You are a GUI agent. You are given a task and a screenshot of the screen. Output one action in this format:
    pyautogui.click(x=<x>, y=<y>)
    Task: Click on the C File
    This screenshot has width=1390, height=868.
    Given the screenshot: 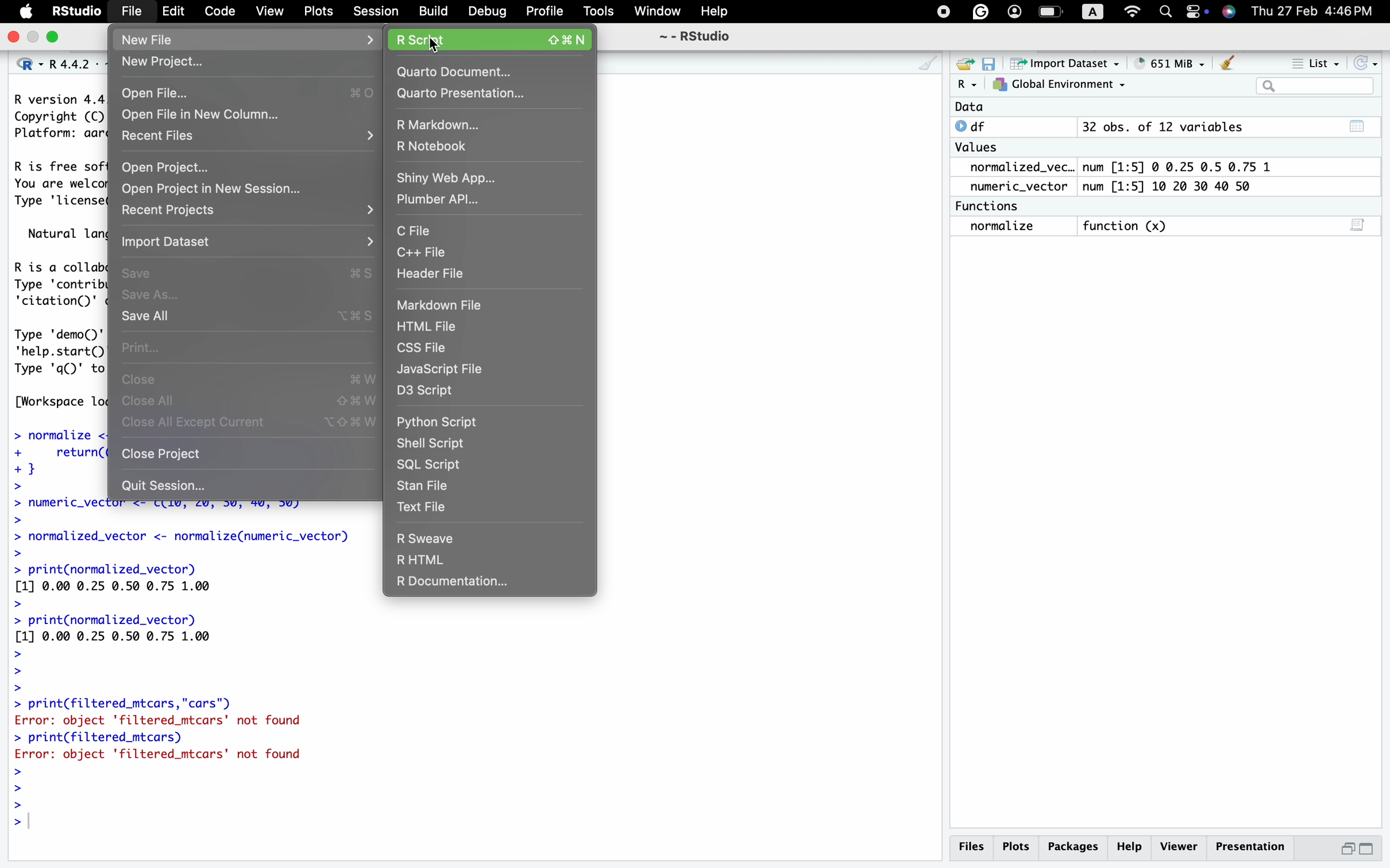 What is the action you would take?
    pyautogui.click(x=423, y=231)
    